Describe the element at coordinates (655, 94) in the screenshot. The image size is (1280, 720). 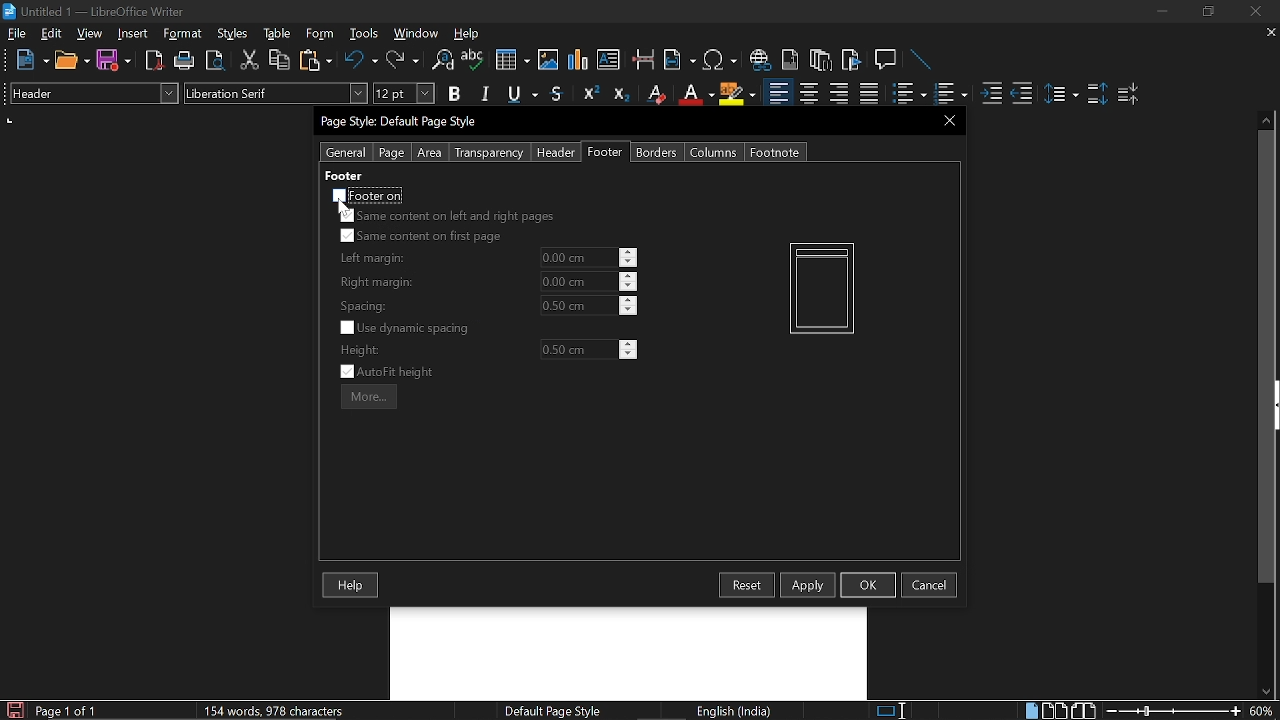
I see `Erase` at that location.